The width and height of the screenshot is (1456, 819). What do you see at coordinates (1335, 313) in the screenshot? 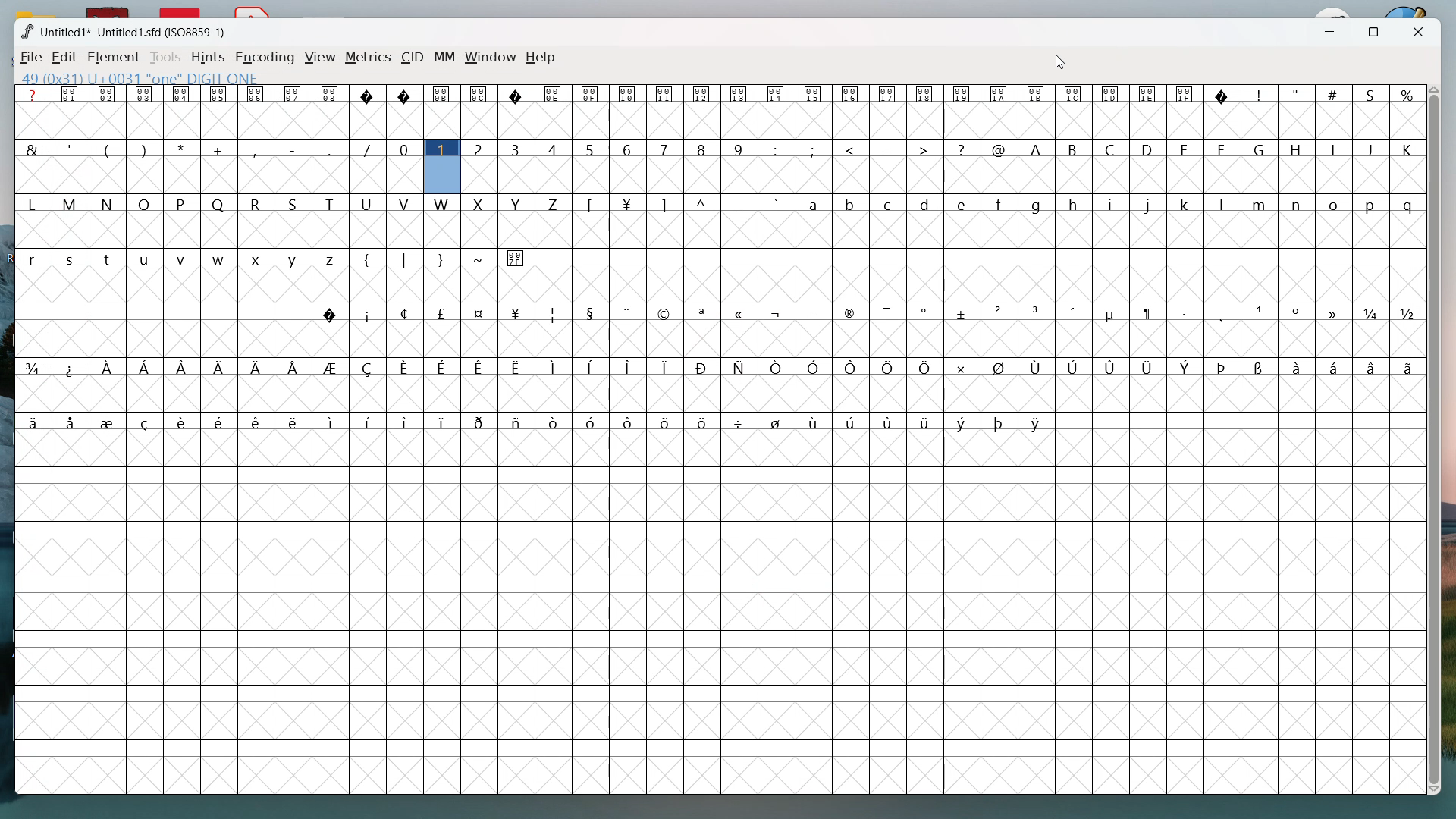
I see `symbol` at bounding box center [1335, 313].